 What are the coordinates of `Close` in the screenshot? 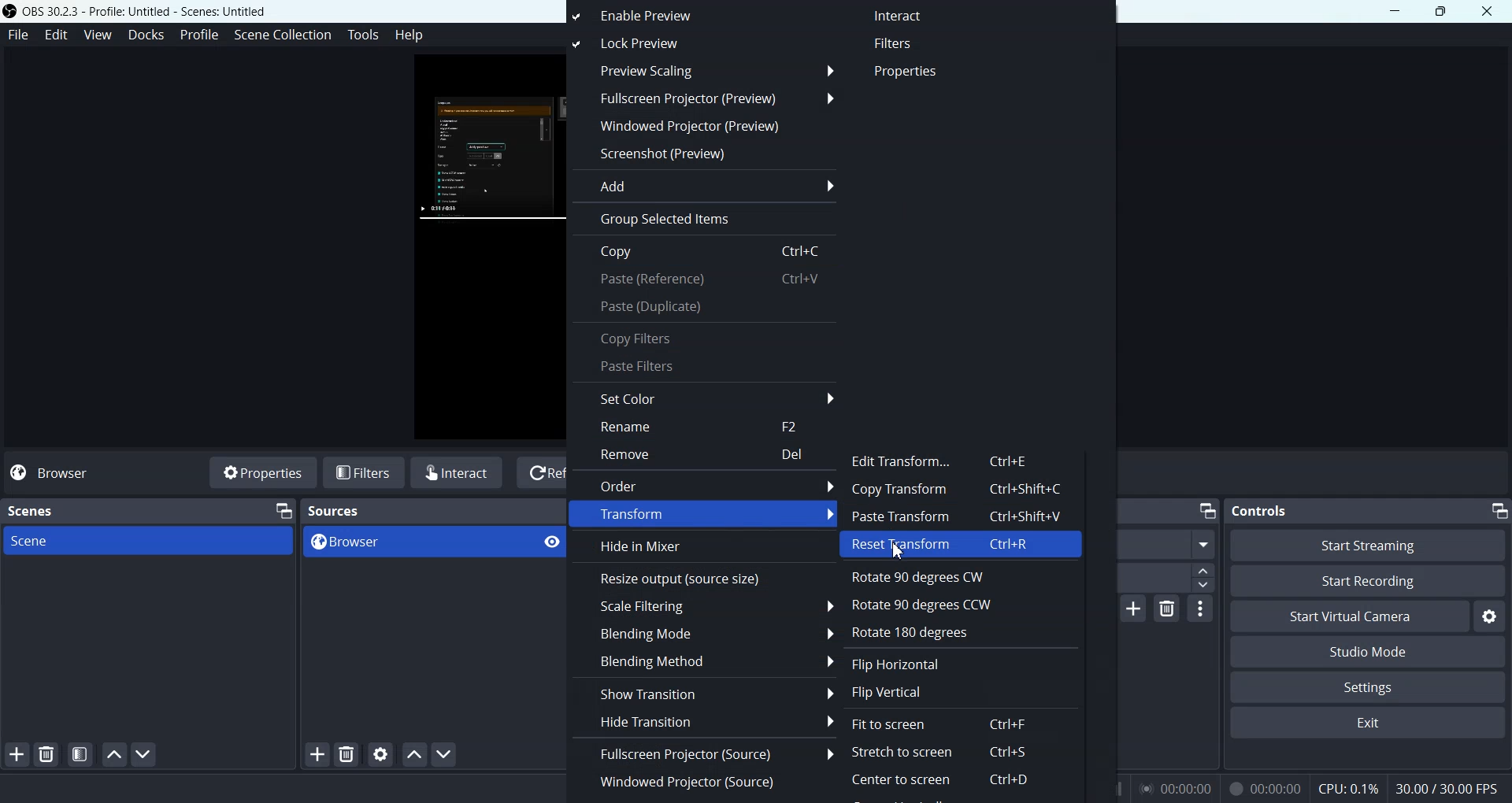 It's located at (1488, 10).